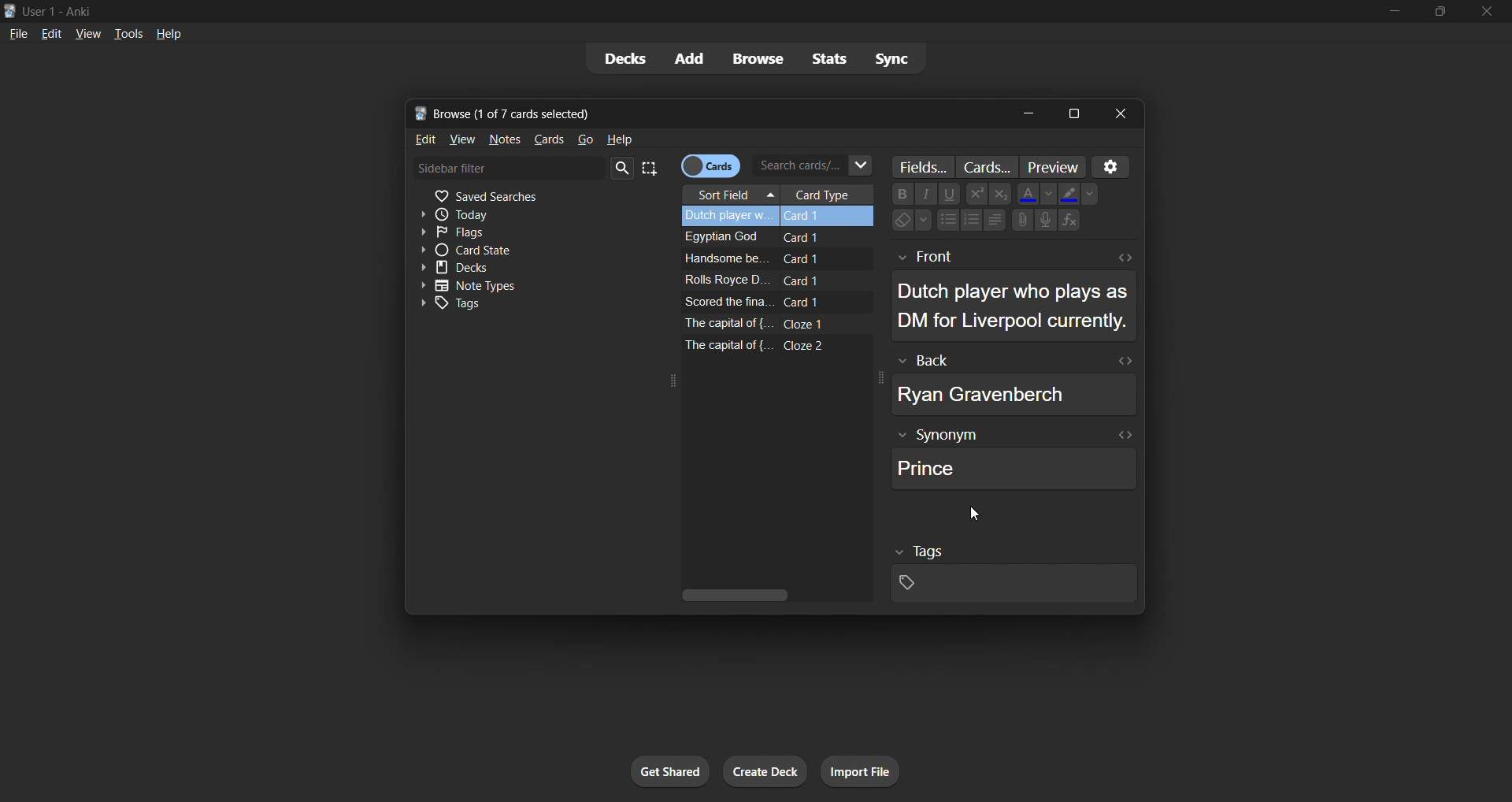 Image resolution: width=1512 pixels, height=802 pixels. What do you see at coordinates (166, 32) in the screenshot?
I see `help` at bounding box center [166, 32].